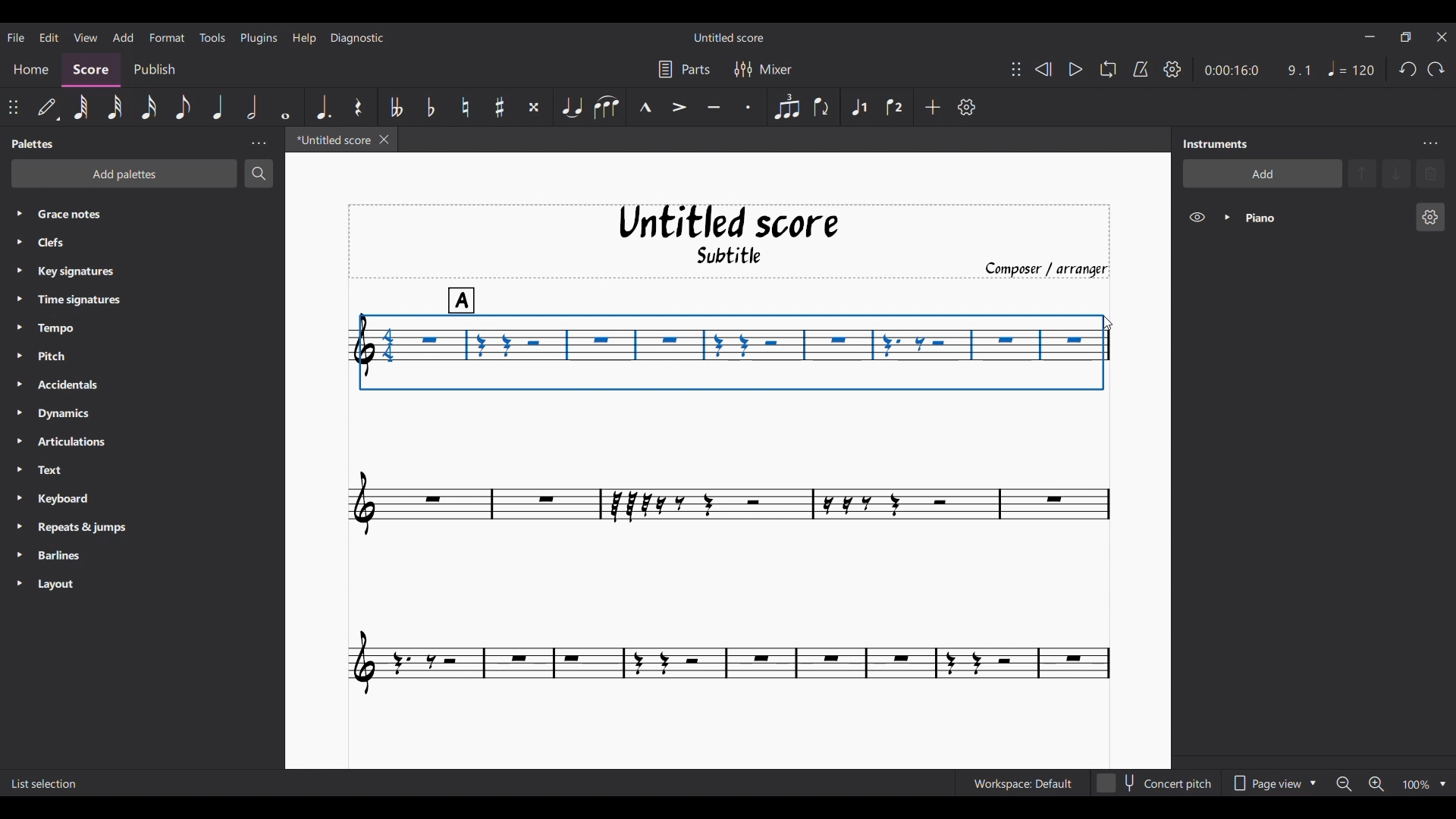 The width and height of the screenshot is (1456, 819). What do you see at coordinates (124, 174) in the screenshot?
I see `Add palette` at bounding box center [124, 174].